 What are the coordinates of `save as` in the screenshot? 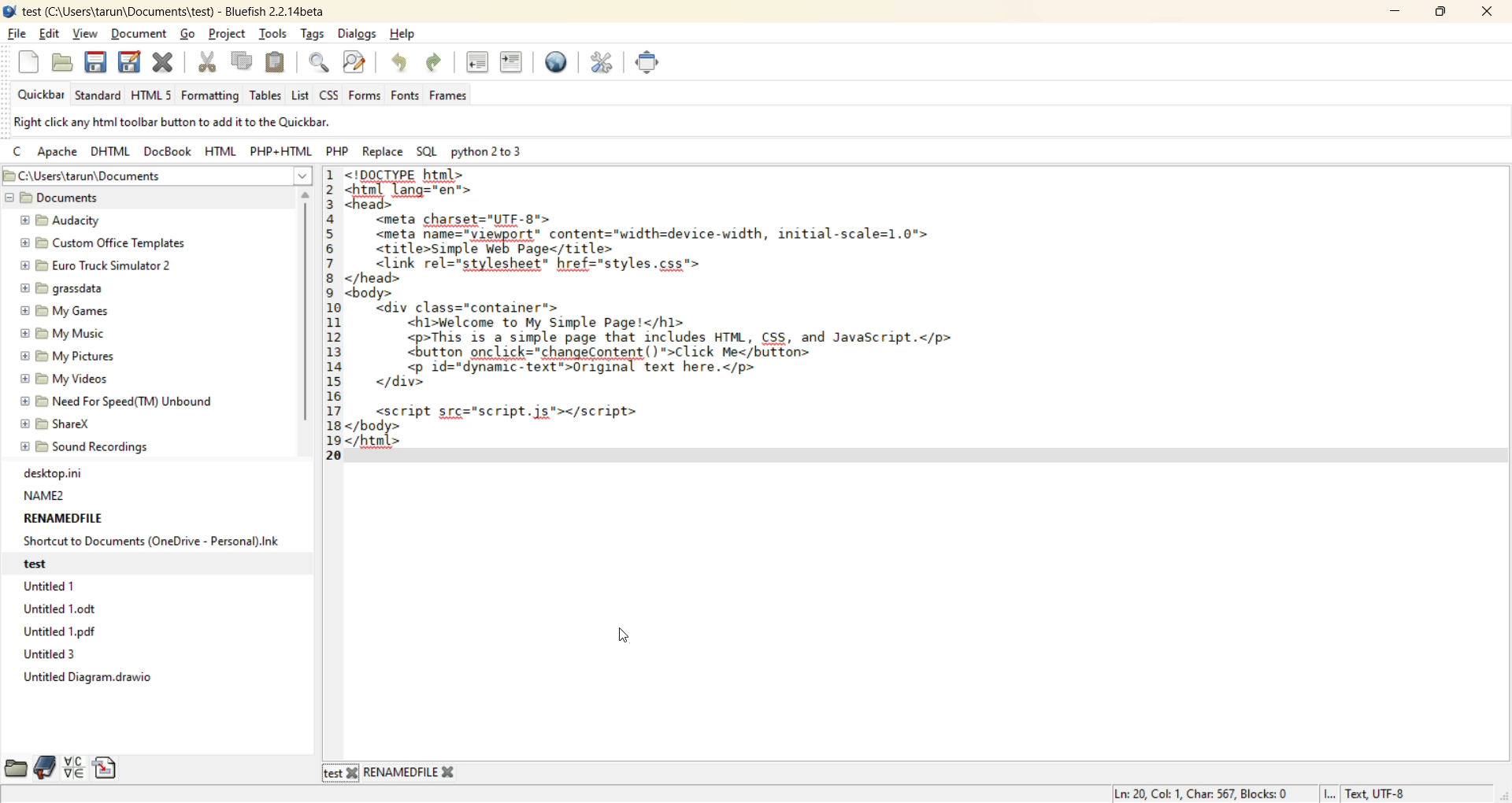 It's located at (132, 64).